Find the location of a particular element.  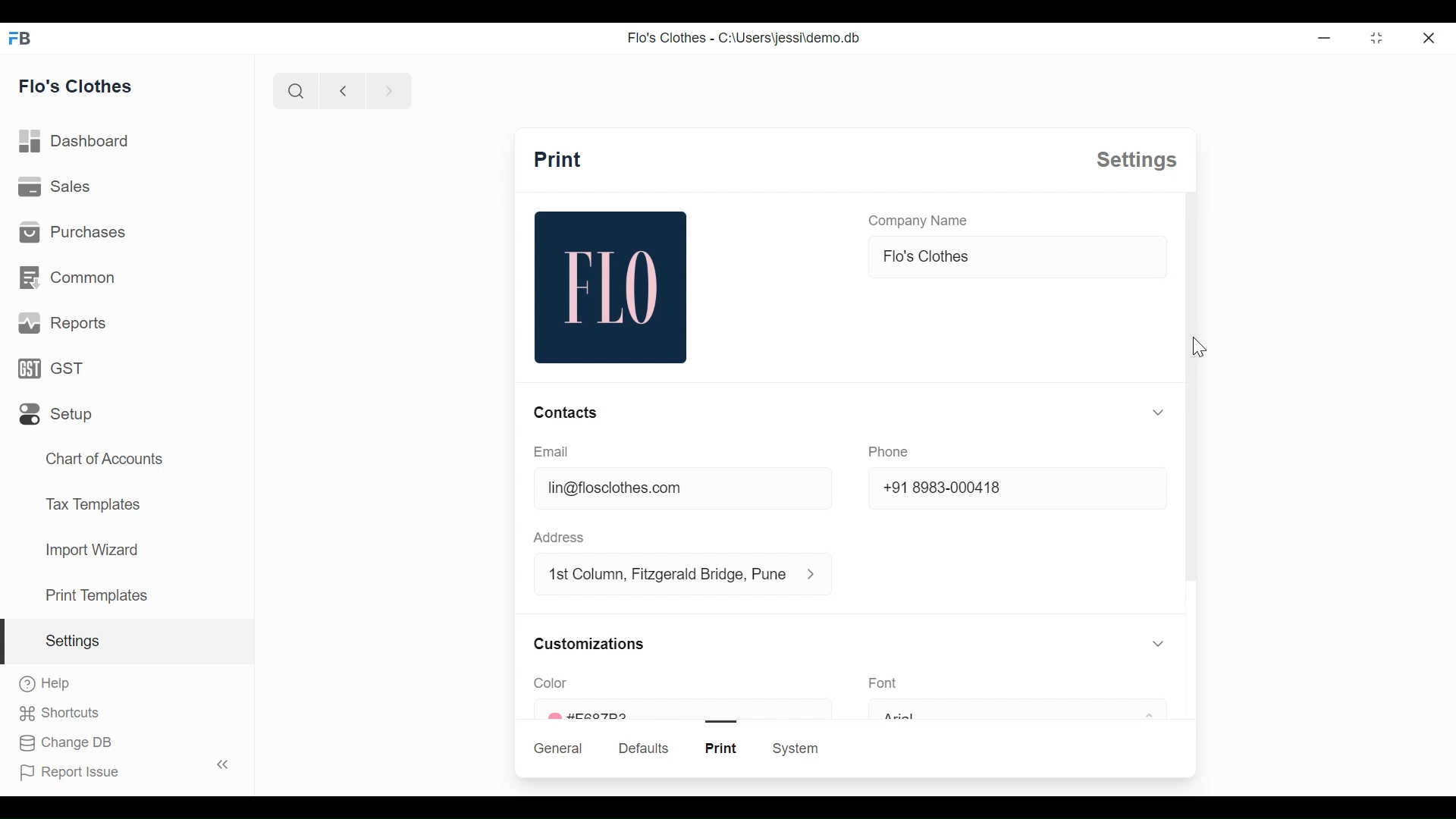

customizations is located at coordinates (587, 645).